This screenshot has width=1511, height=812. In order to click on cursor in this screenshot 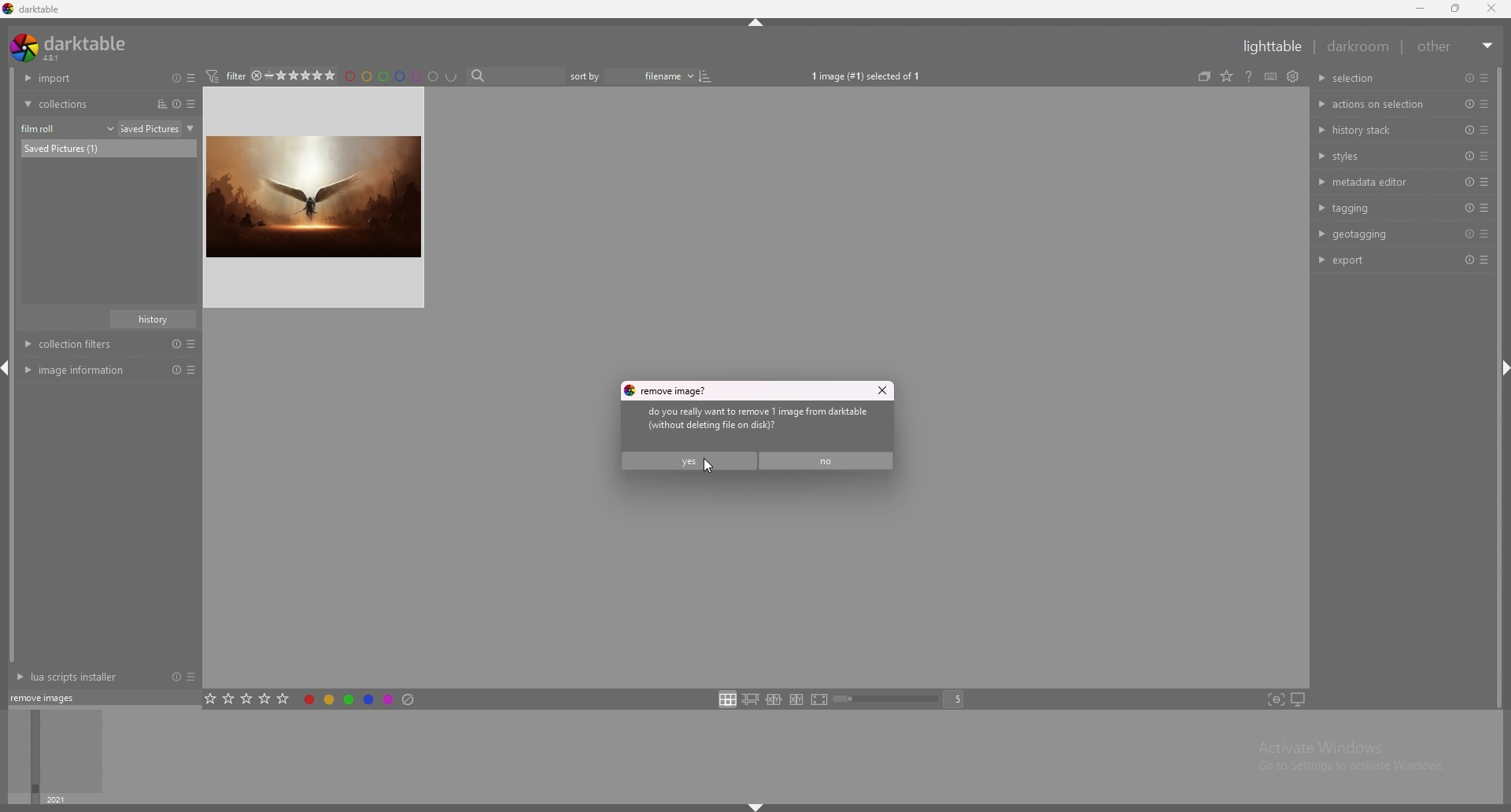, I will do `click(703, 467)`.